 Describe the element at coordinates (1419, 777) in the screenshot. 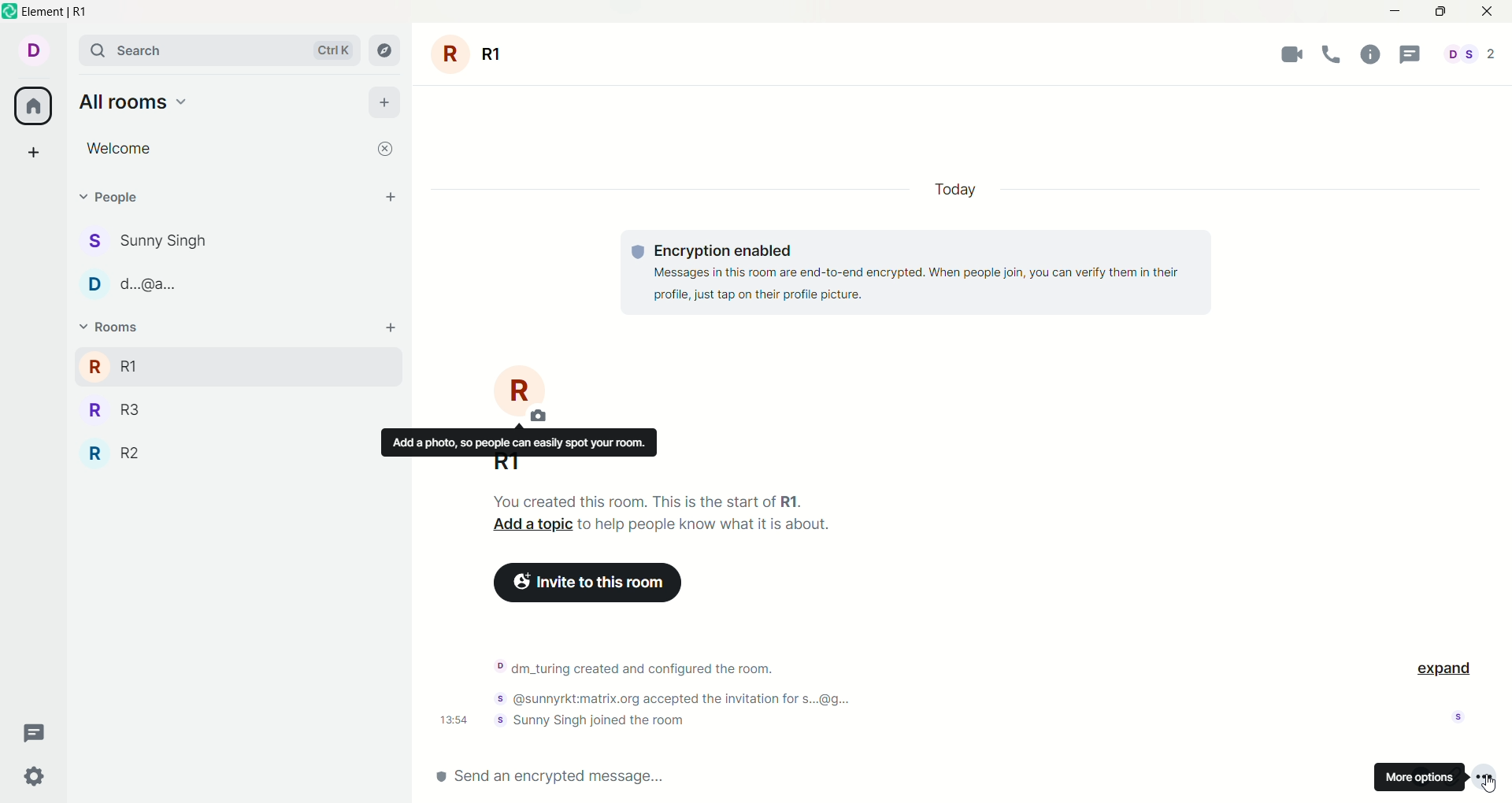

I see `more options` at that location.